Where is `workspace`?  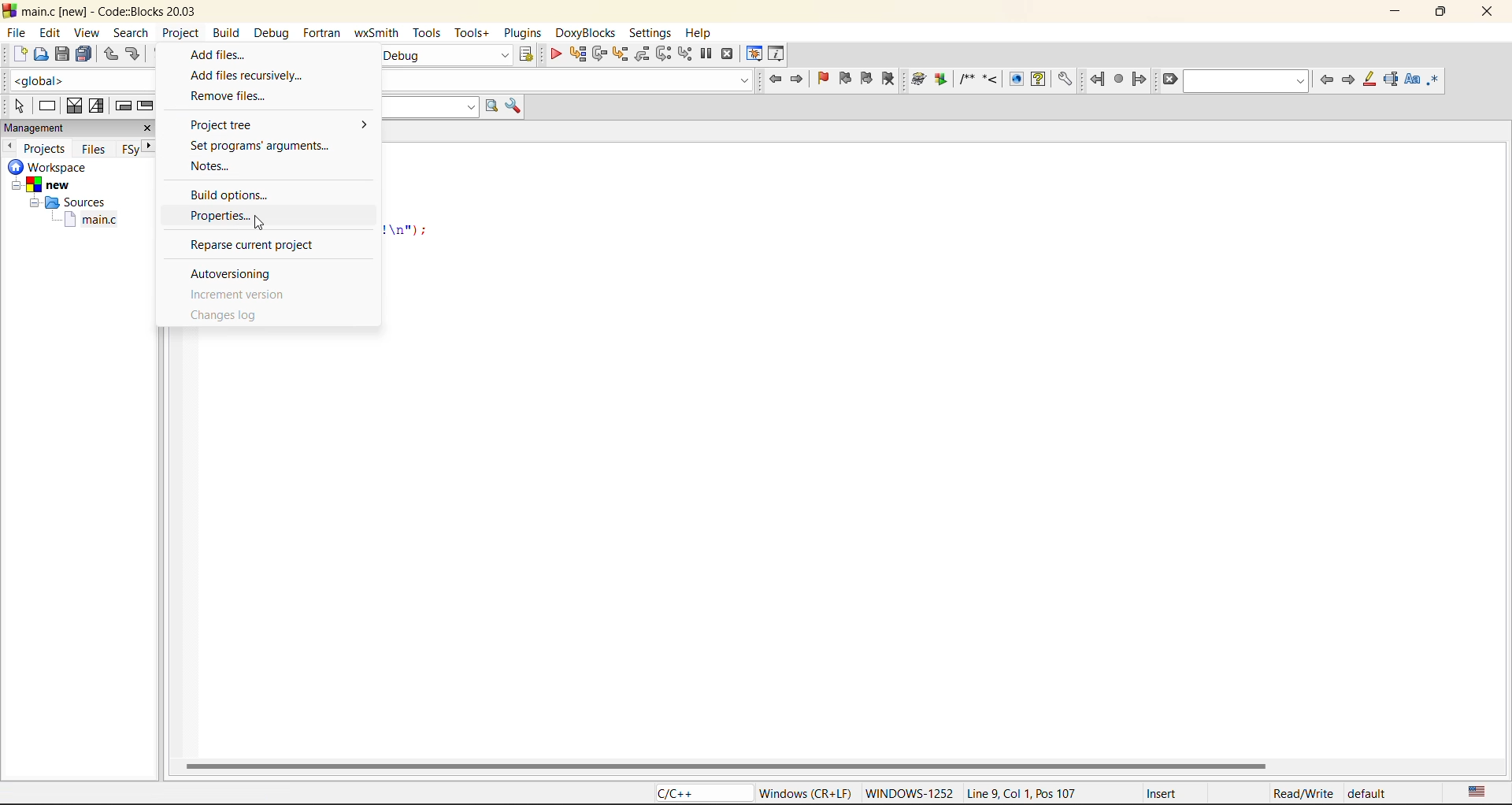
workspace is located at coordinates (51, 168).